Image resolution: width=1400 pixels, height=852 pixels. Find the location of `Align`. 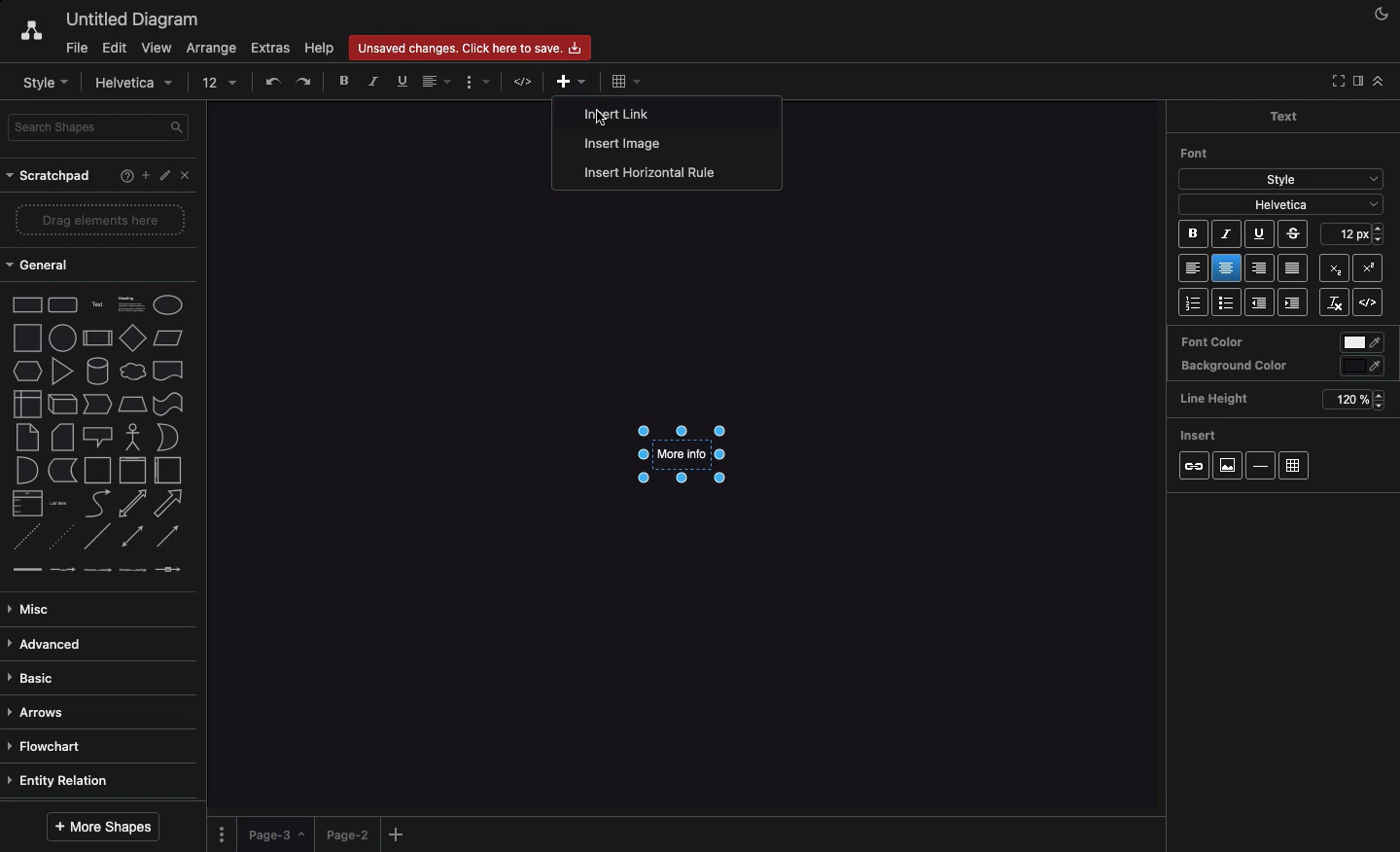

Align is located at coordinates (438, 84).